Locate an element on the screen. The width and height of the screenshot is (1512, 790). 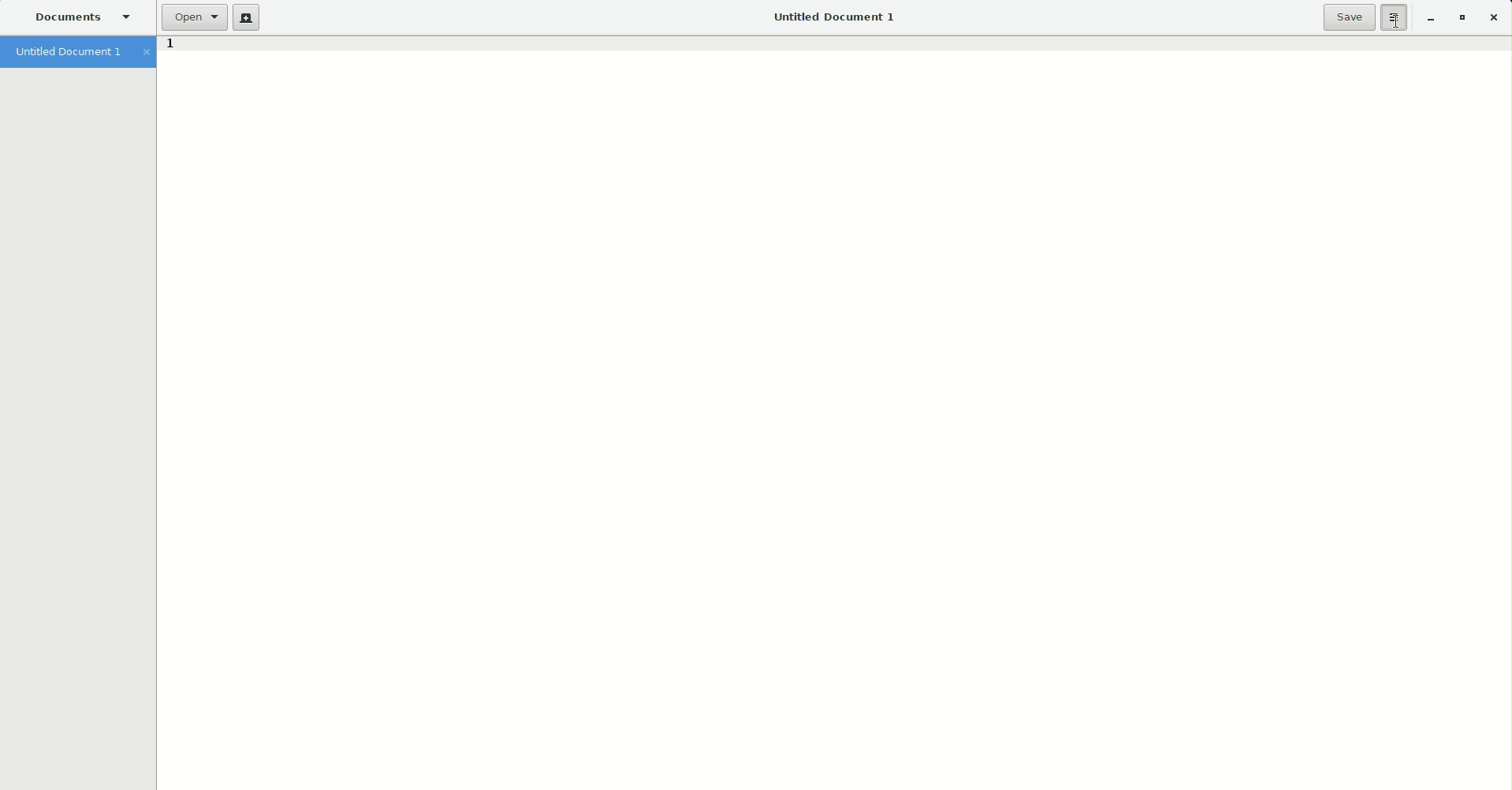
Options is located at coordinates (1395, 18).